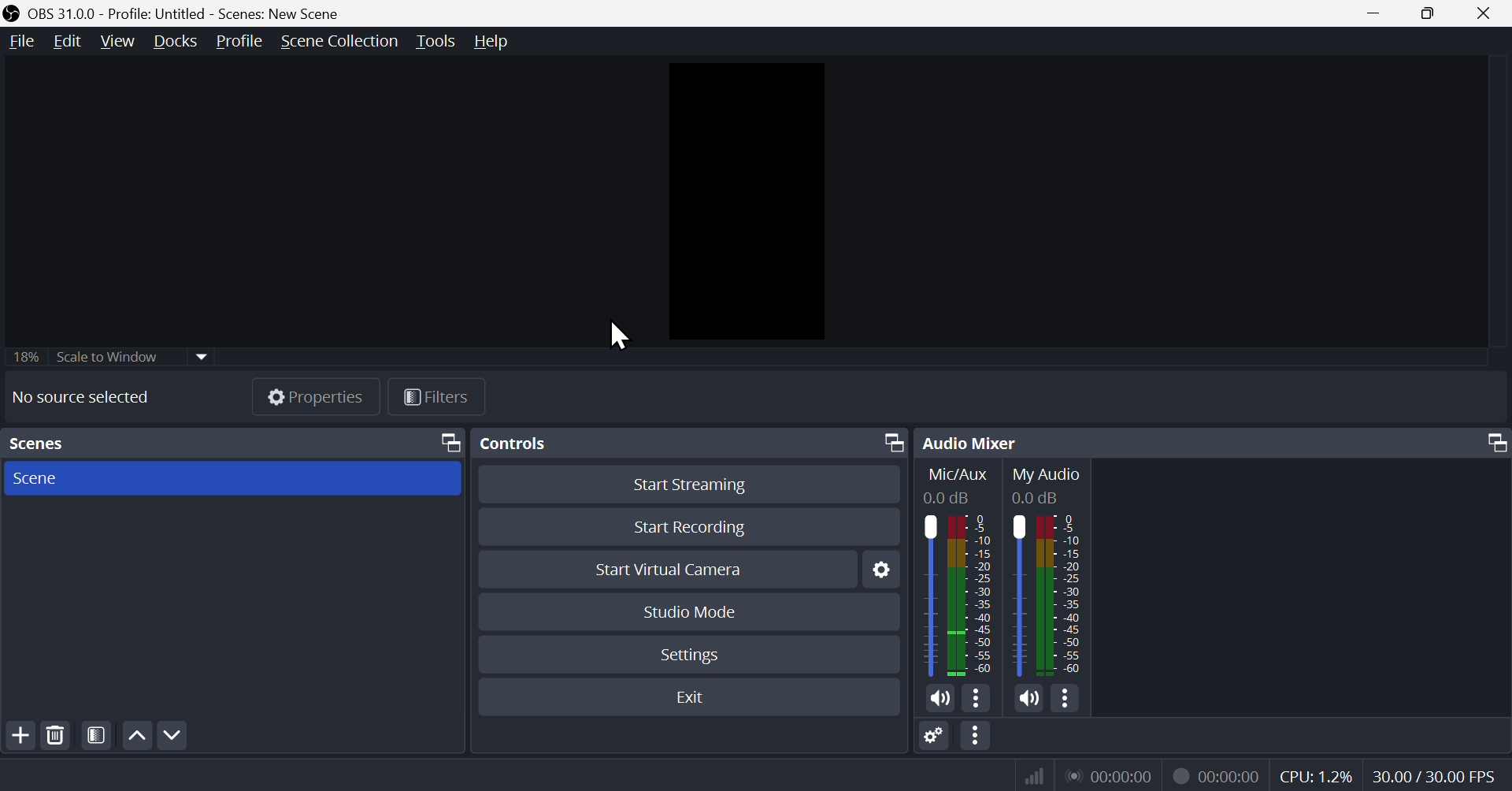  What do you see at coordinates (175, 41) in the screenshot?
I see `Docks` at bounding box center [175, 41].